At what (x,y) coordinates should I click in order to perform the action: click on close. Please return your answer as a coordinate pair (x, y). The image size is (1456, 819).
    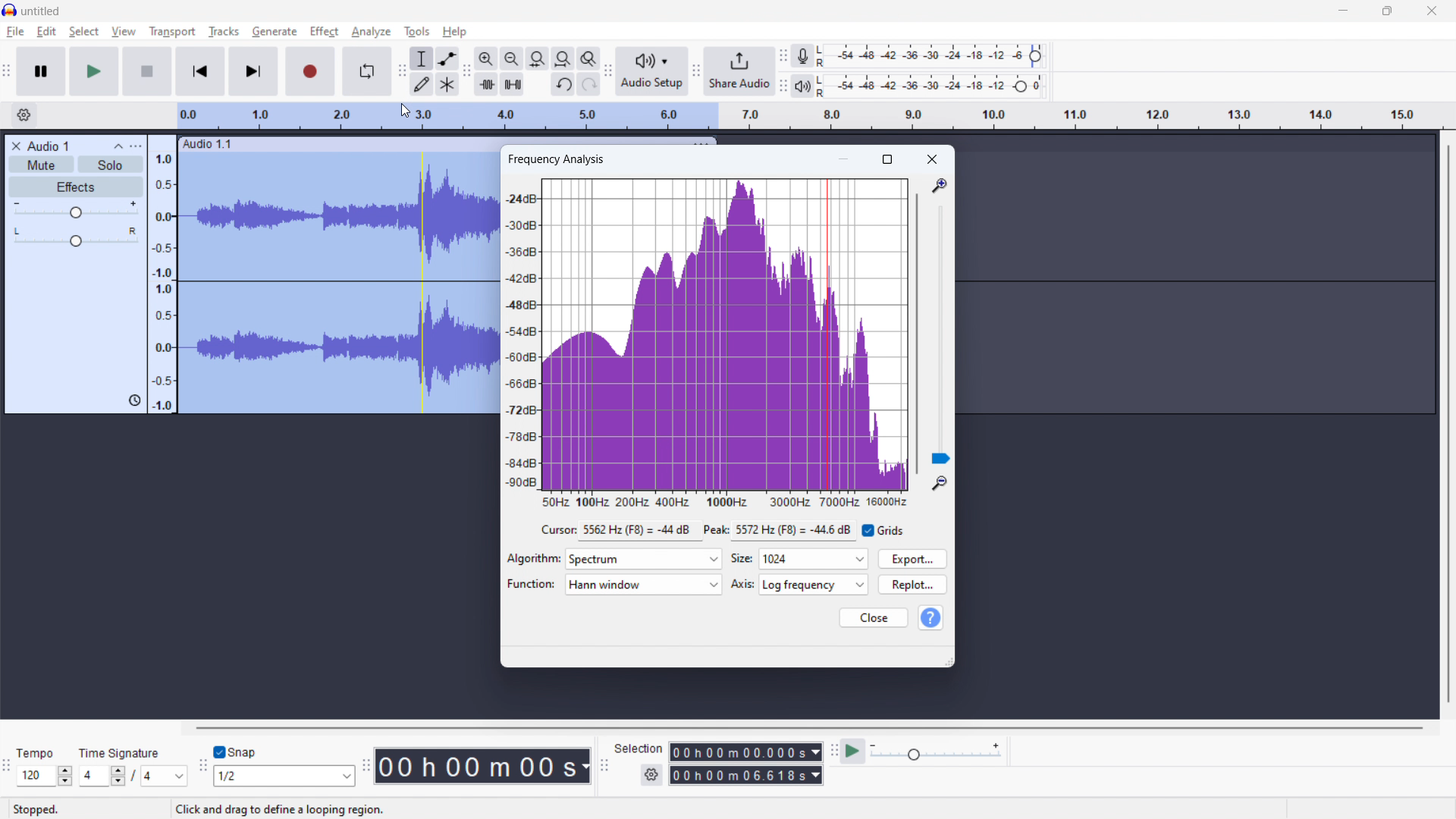
    Looking at the image, I should click on (1432, 11).